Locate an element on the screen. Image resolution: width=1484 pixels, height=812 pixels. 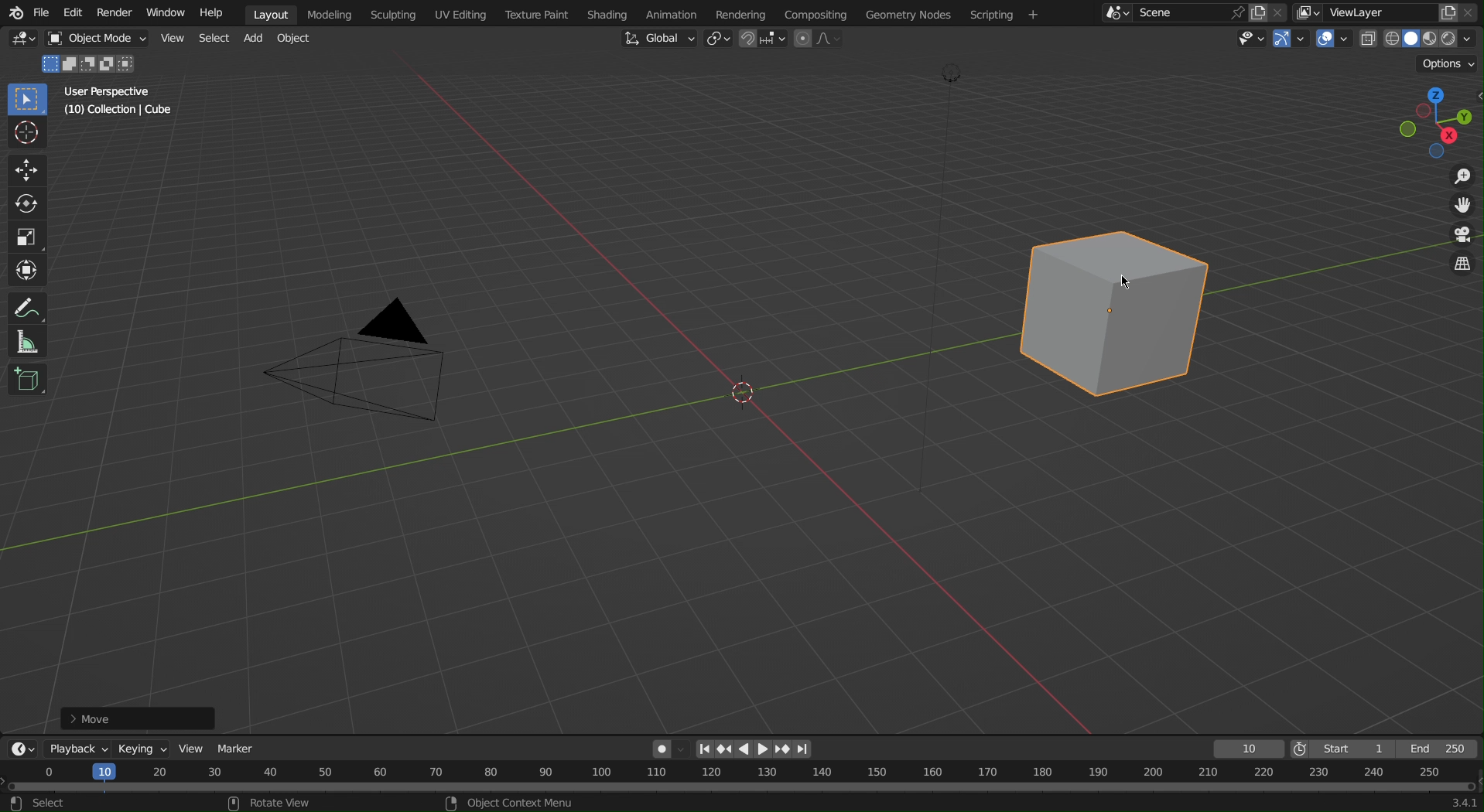
Move is located at coordinates (140, 715).